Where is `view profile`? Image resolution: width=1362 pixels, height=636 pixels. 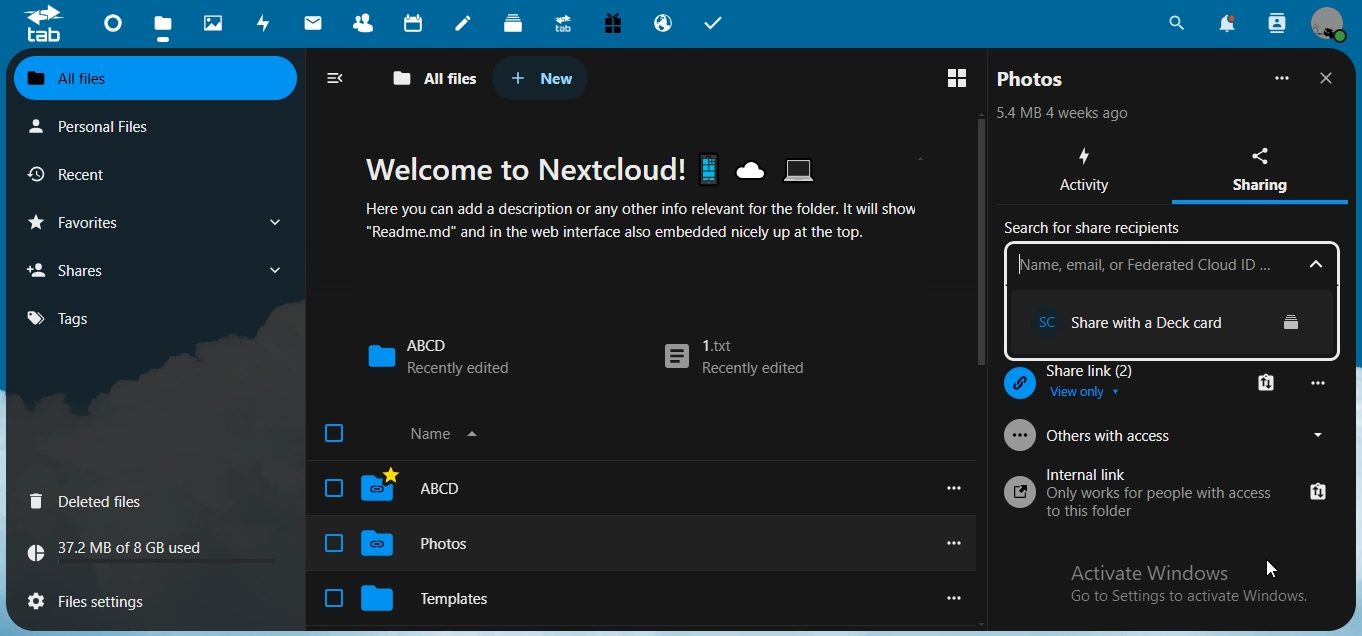
view profile is located at coordinates (1328, 24).